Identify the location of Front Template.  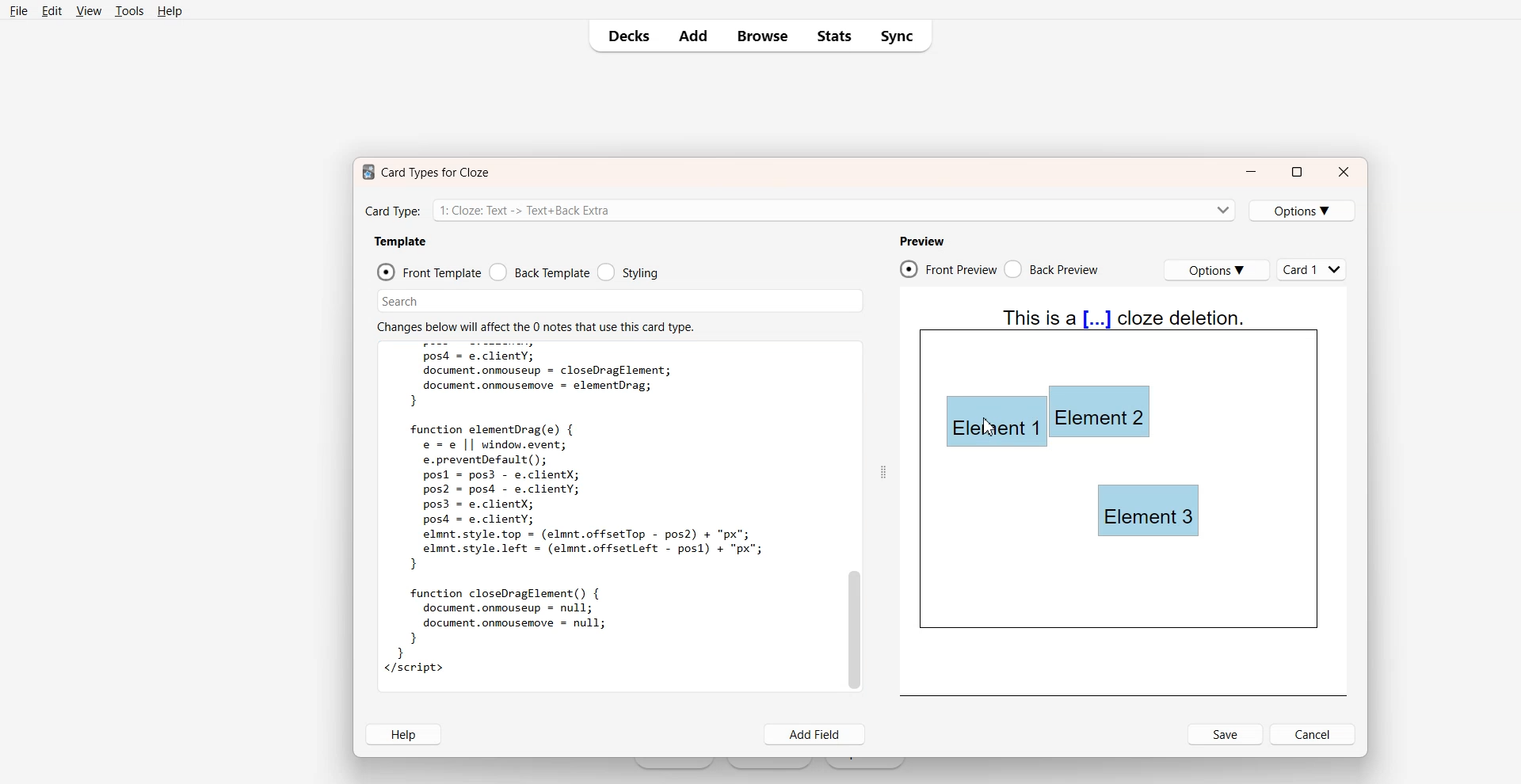
(429, 272).